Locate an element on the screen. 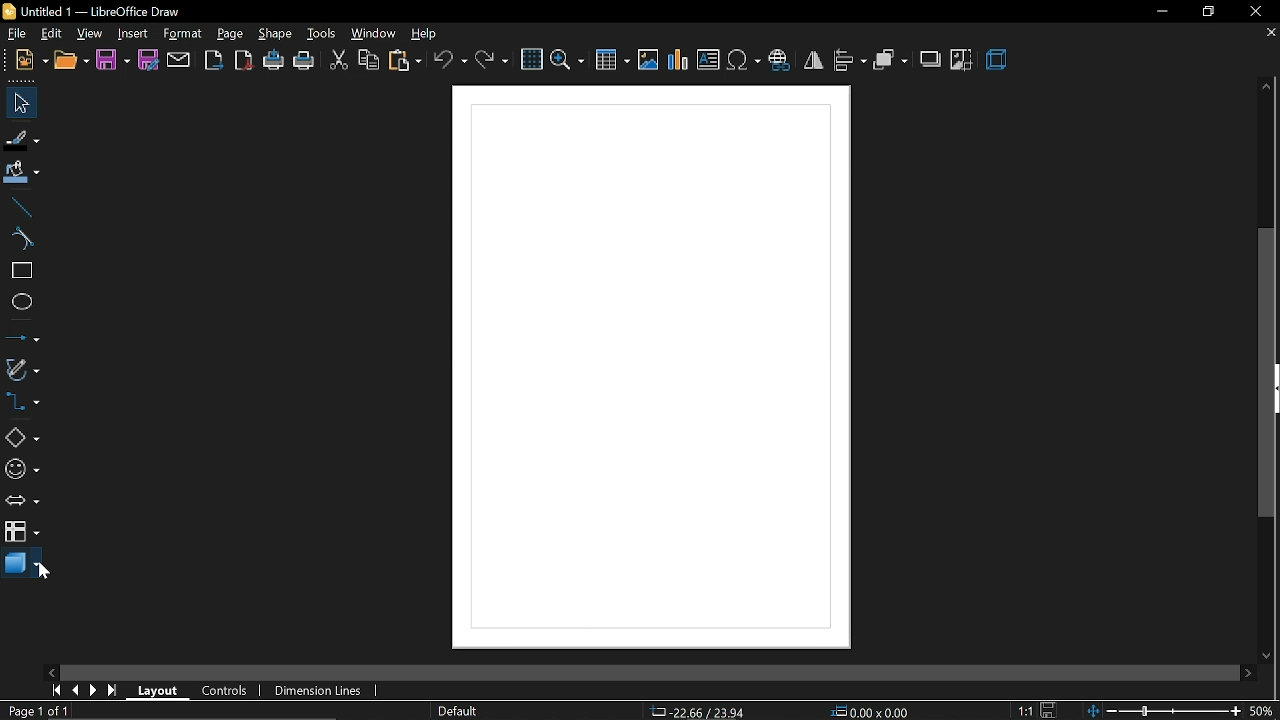 The width and height of the screenshot is (1280, 720). go to last page is located at coordinates (115, 692).